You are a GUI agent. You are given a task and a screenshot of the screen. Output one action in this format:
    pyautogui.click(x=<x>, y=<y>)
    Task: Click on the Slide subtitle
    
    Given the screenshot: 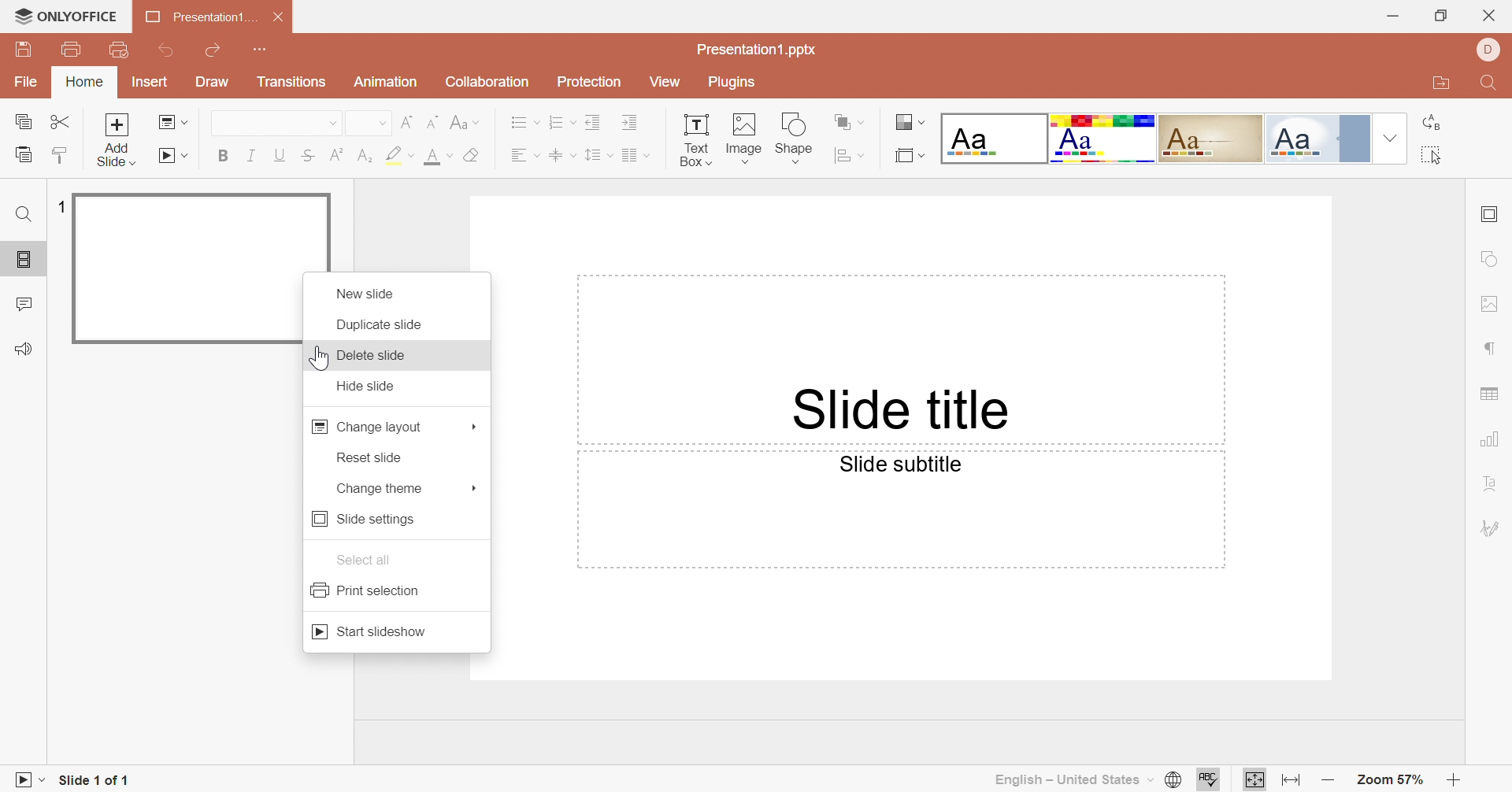 What is the action you would take?
    pyautogui.click(x=900, y=465)
    